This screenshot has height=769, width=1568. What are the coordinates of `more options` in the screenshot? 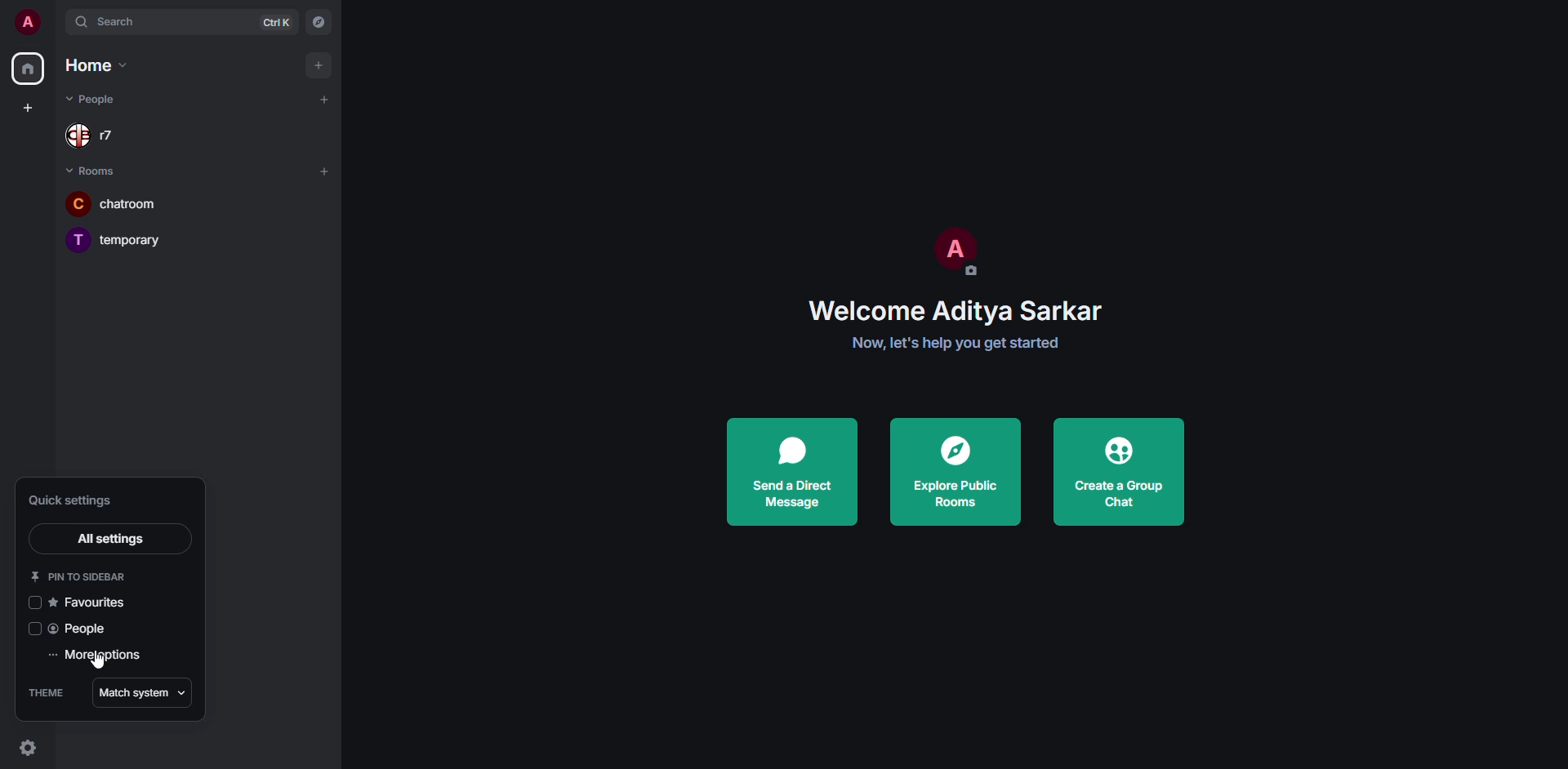 It's located at (100, 656).